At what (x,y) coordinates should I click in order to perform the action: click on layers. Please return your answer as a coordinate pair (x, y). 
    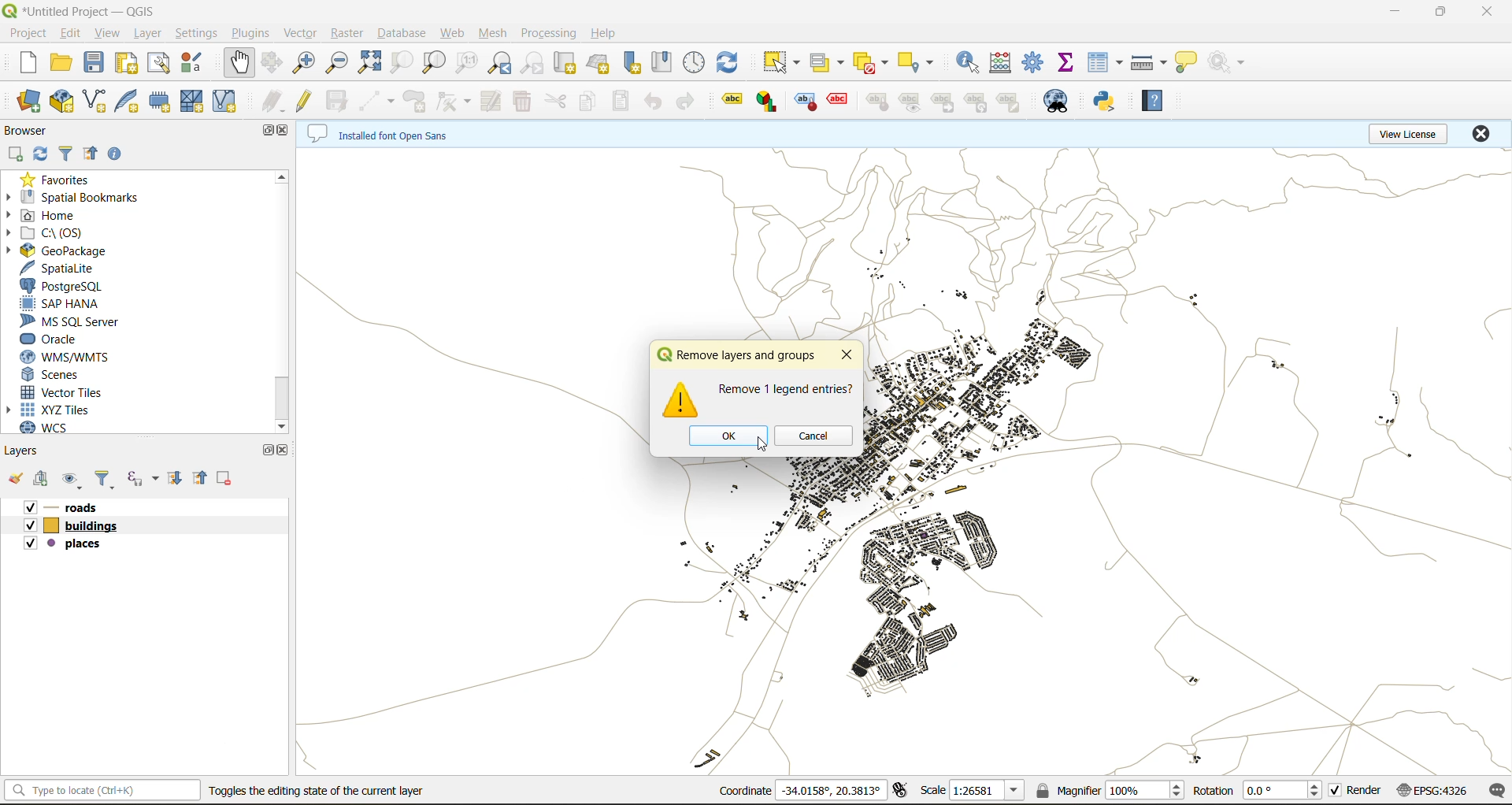
    Looking at the image, I should click on (33, 451).